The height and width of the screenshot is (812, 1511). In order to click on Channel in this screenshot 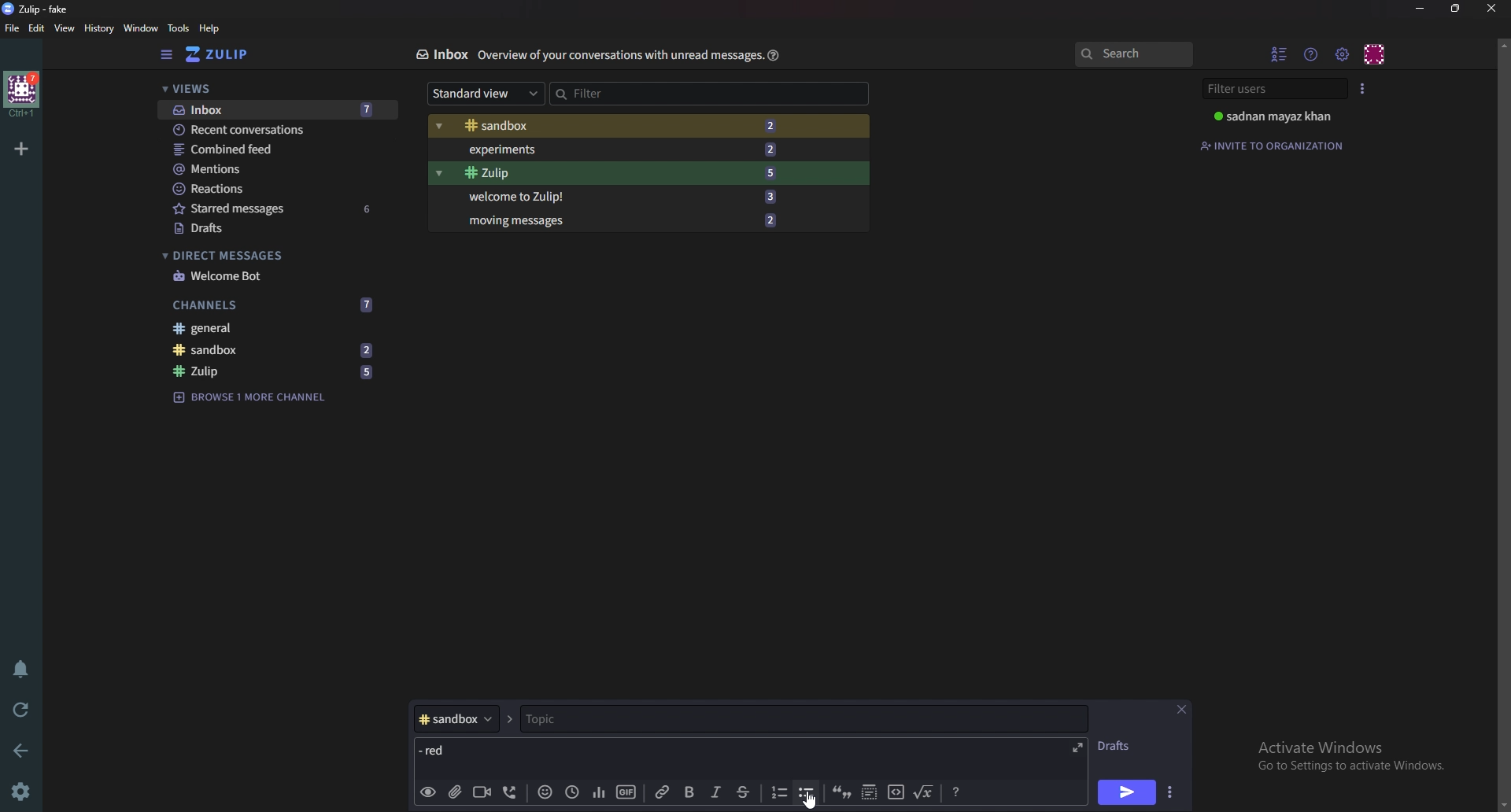, I will do `click(456, 718)`.